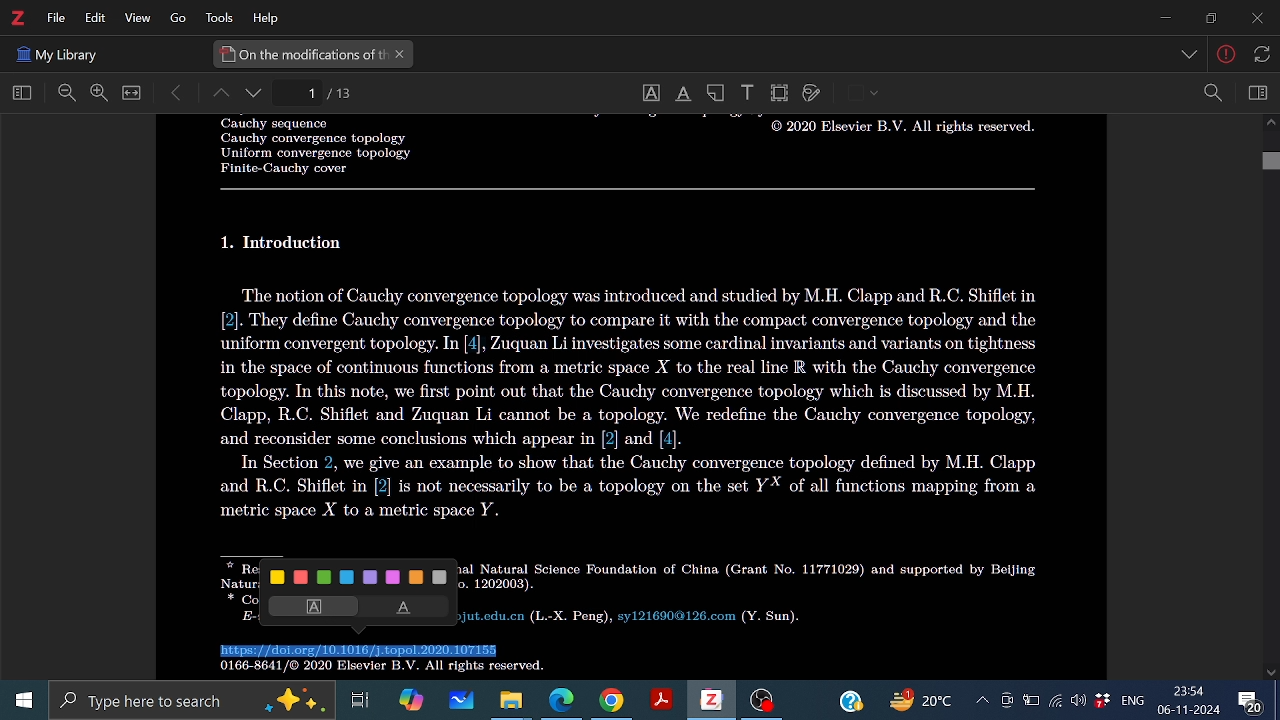 This screenshot has width=1280, height=720. Describe the element at coordinates (562, 701) in the screenshot. I see `Microsoft edge` at that location.